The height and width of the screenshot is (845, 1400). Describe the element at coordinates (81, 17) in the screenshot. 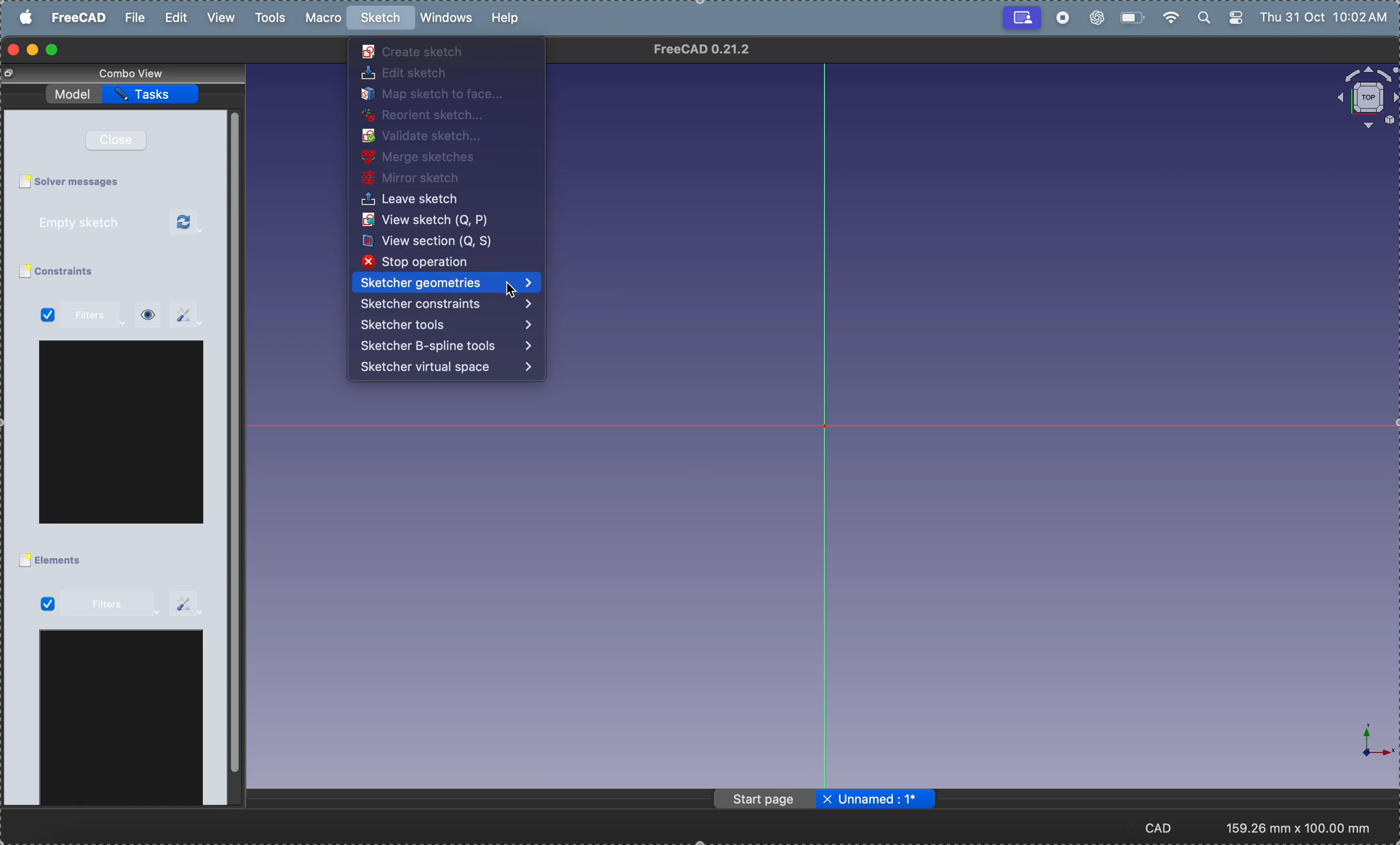

I see `free cad` at that location.